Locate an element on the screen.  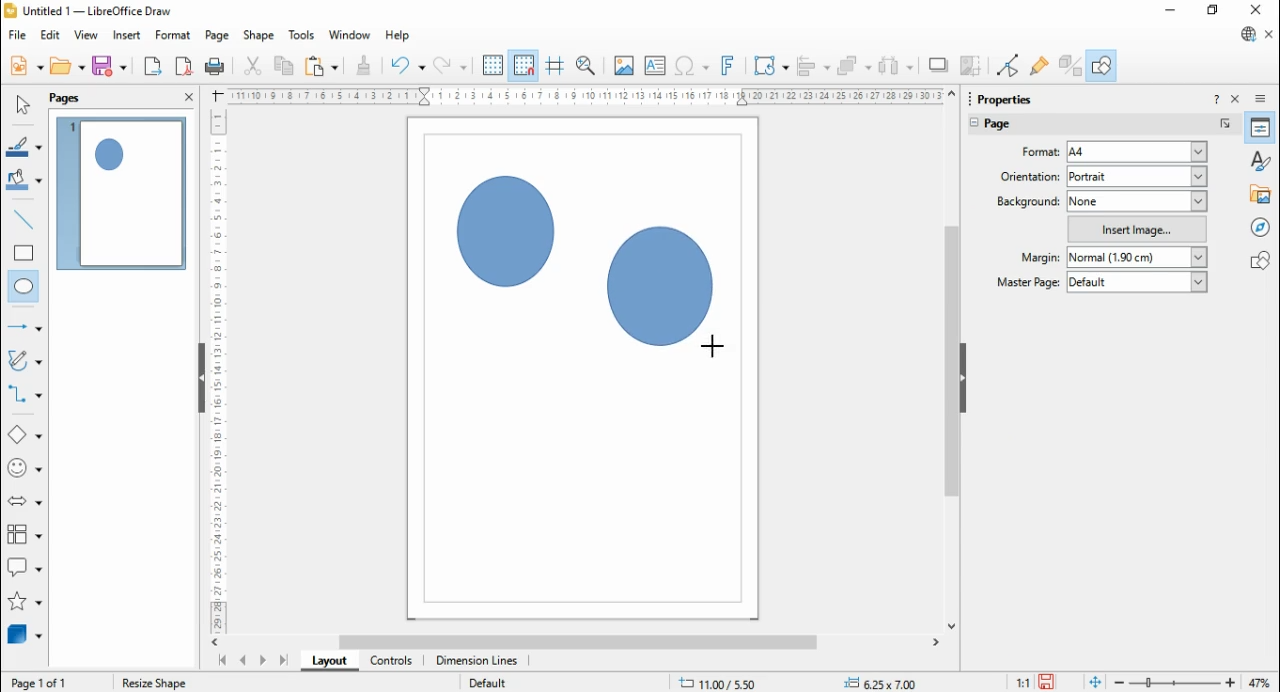
controls is located at coordinates (390, 661).